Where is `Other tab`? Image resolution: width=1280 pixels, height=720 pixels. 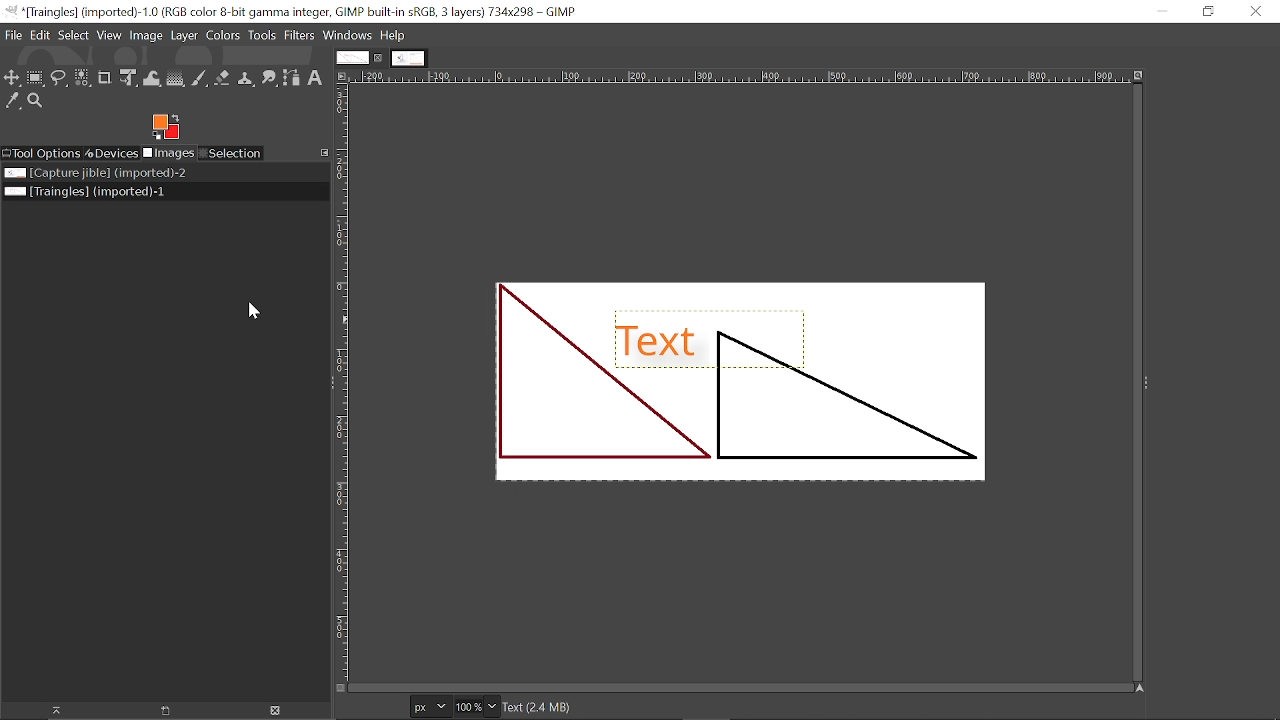
Other tab is located at coordinates (408, 58).